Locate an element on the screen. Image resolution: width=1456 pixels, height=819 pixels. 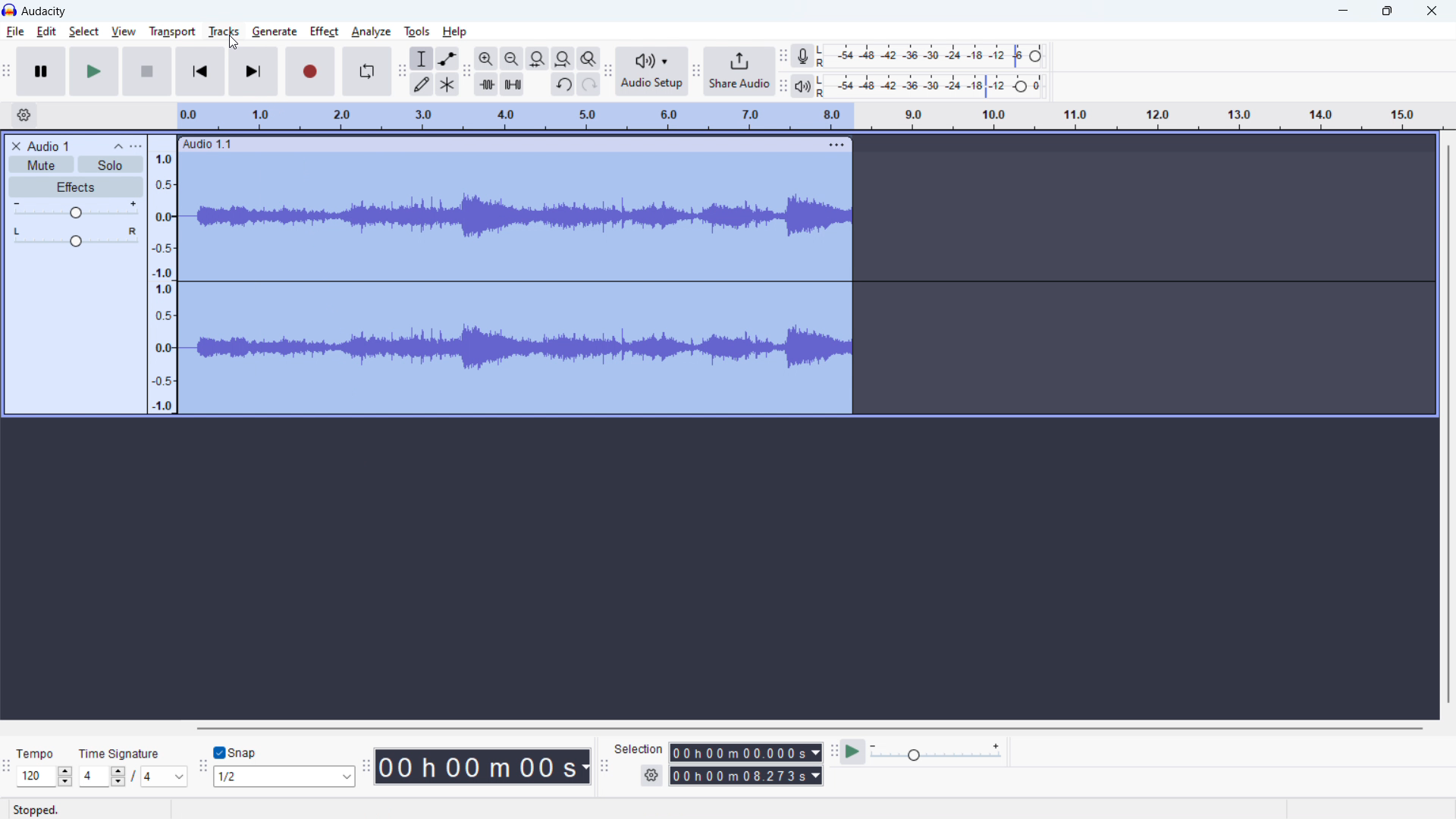
track title is located at coordinates (49, 145).